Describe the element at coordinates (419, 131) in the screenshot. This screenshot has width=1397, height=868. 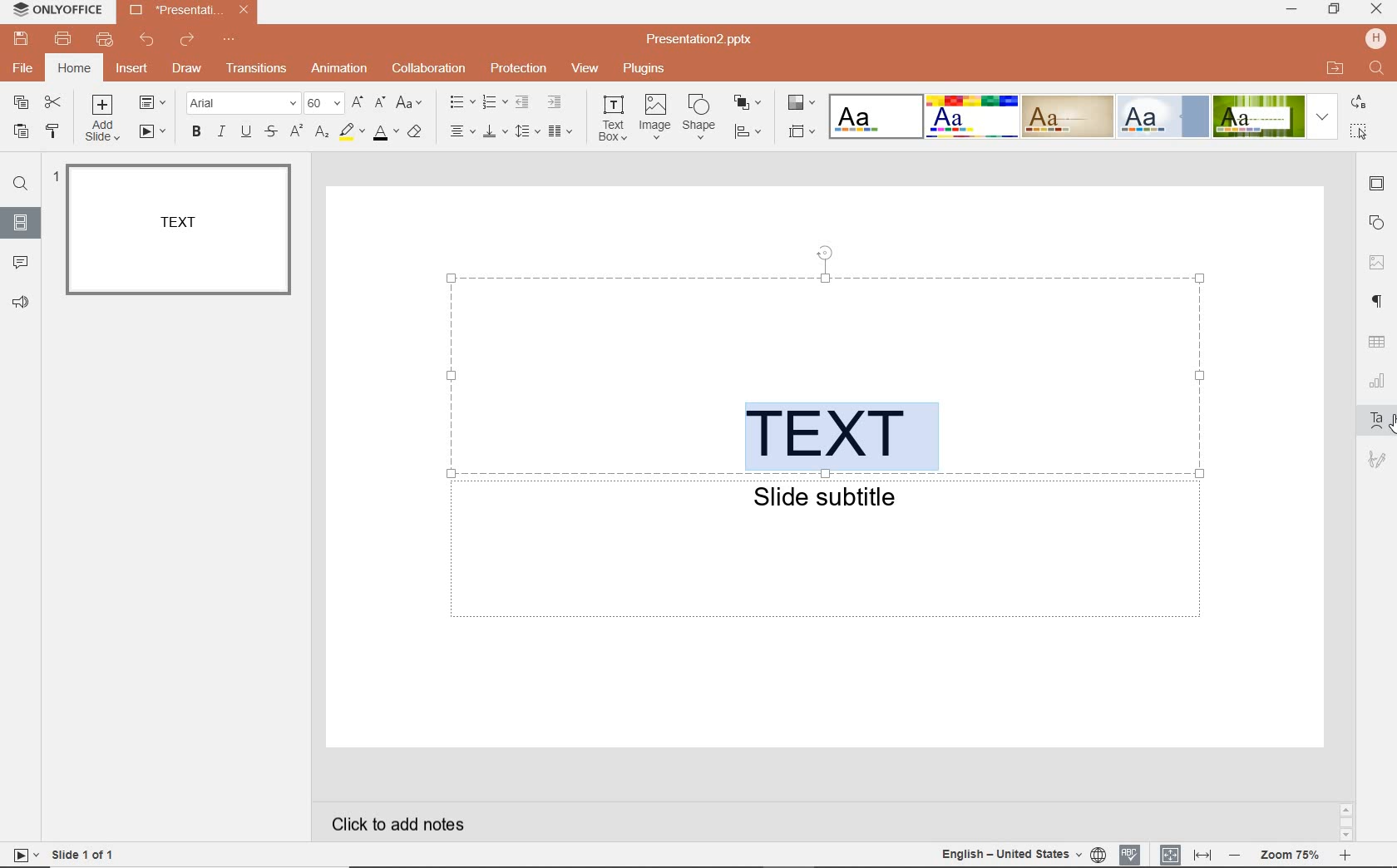
I see `CLEAR STYLE` at that location.